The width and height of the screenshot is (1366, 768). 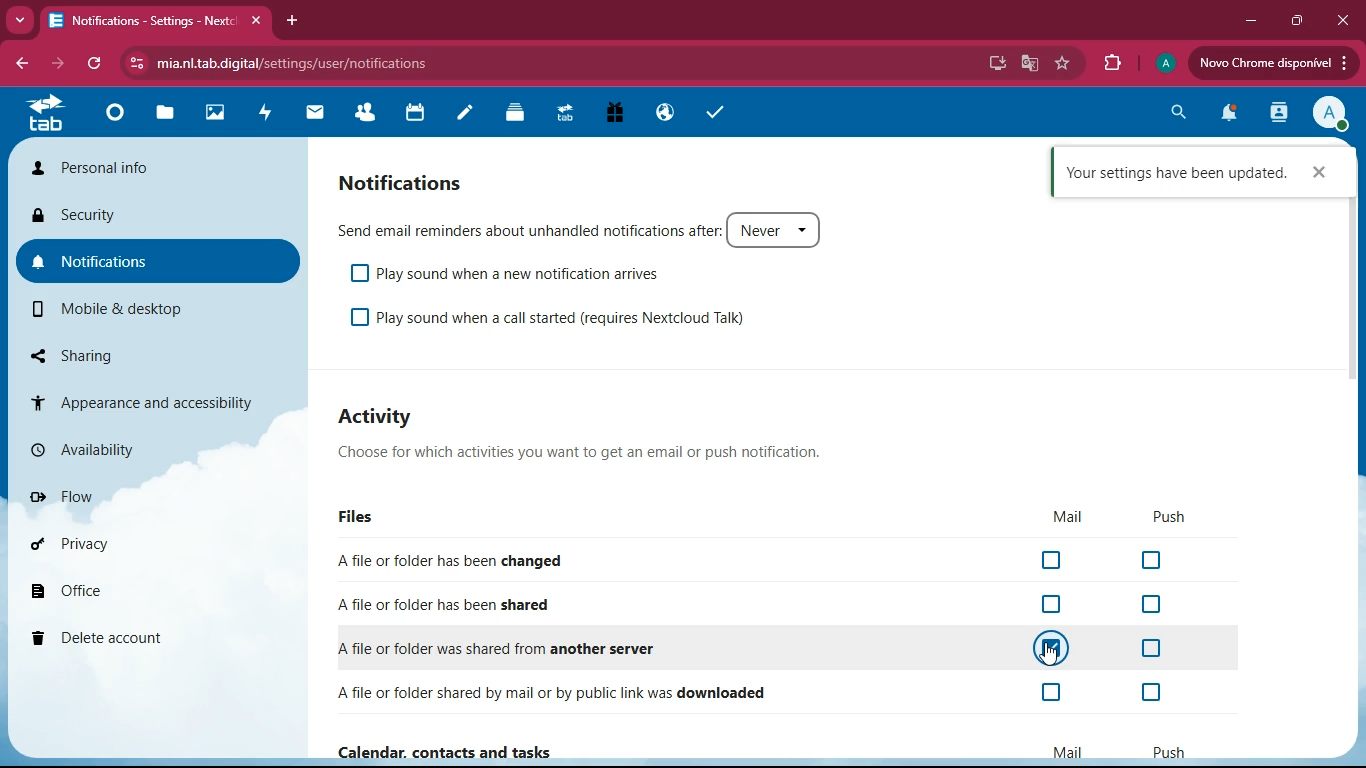 I want to click on minimize, so click(x=1247, y=25).